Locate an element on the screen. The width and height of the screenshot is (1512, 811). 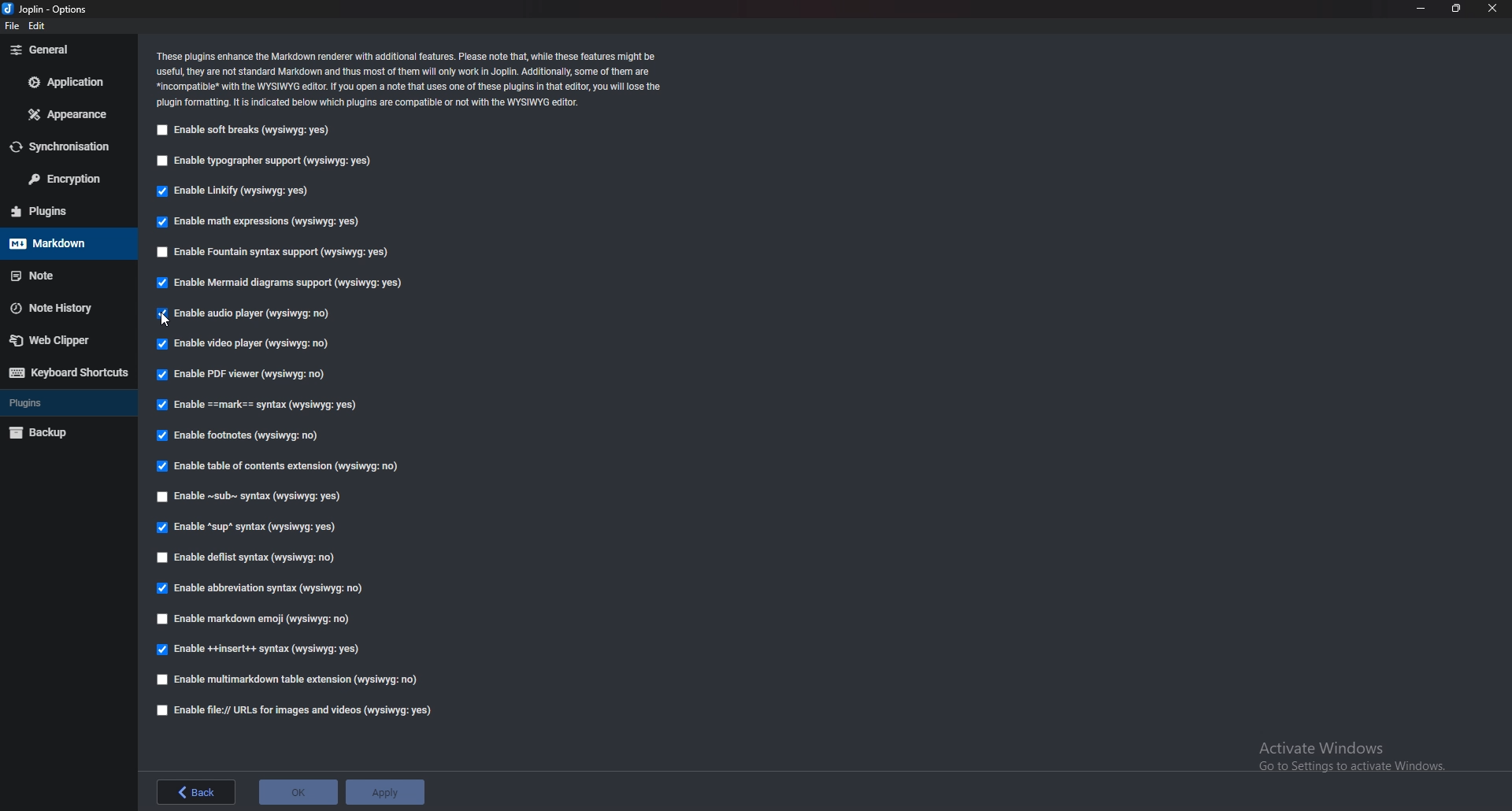
enable markdown emoji is located at coordinates (258, 618).